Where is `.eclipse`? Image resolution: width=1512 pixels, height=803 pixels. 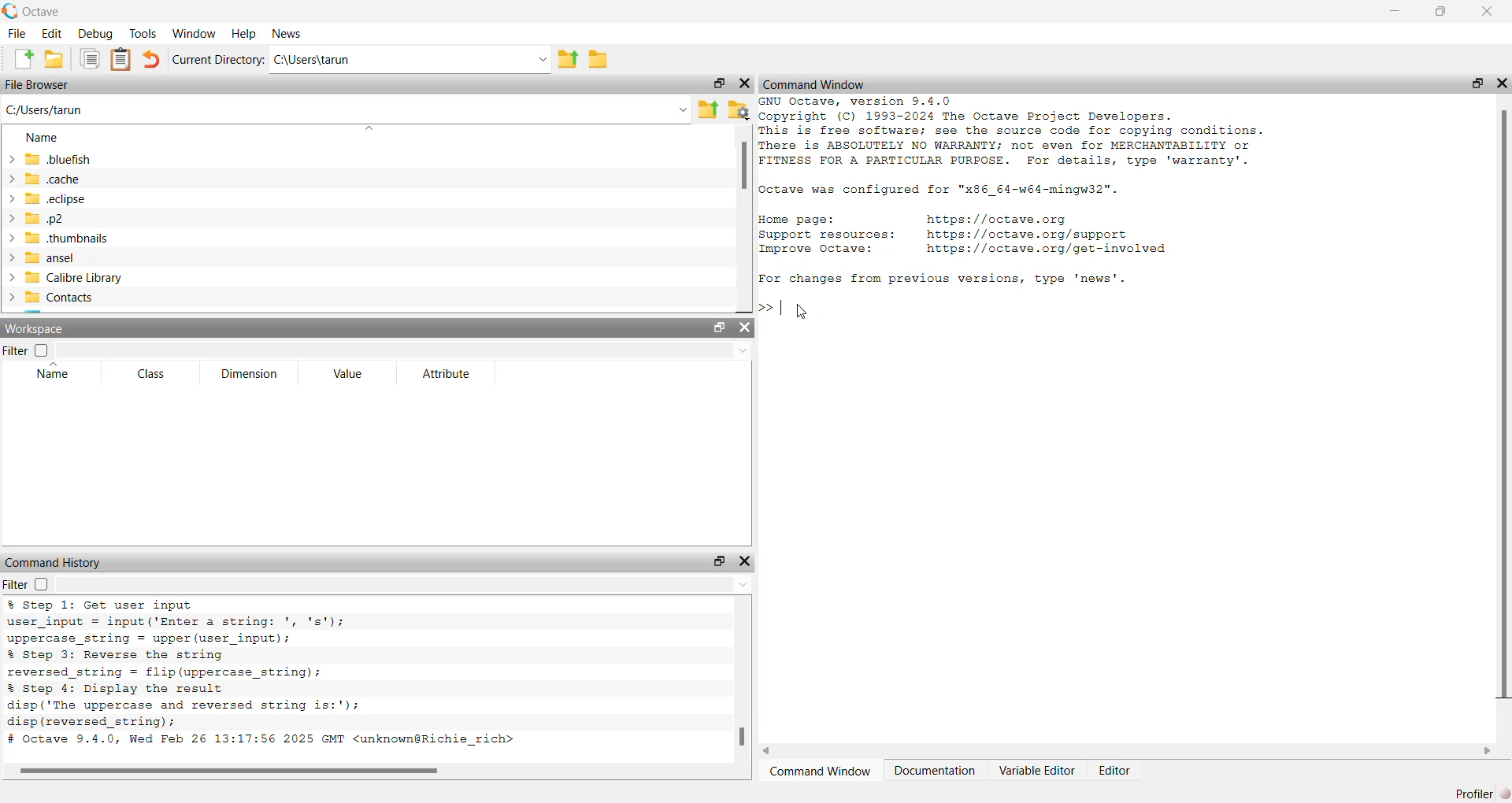
.eclipse is located at coordinates (90, 200).